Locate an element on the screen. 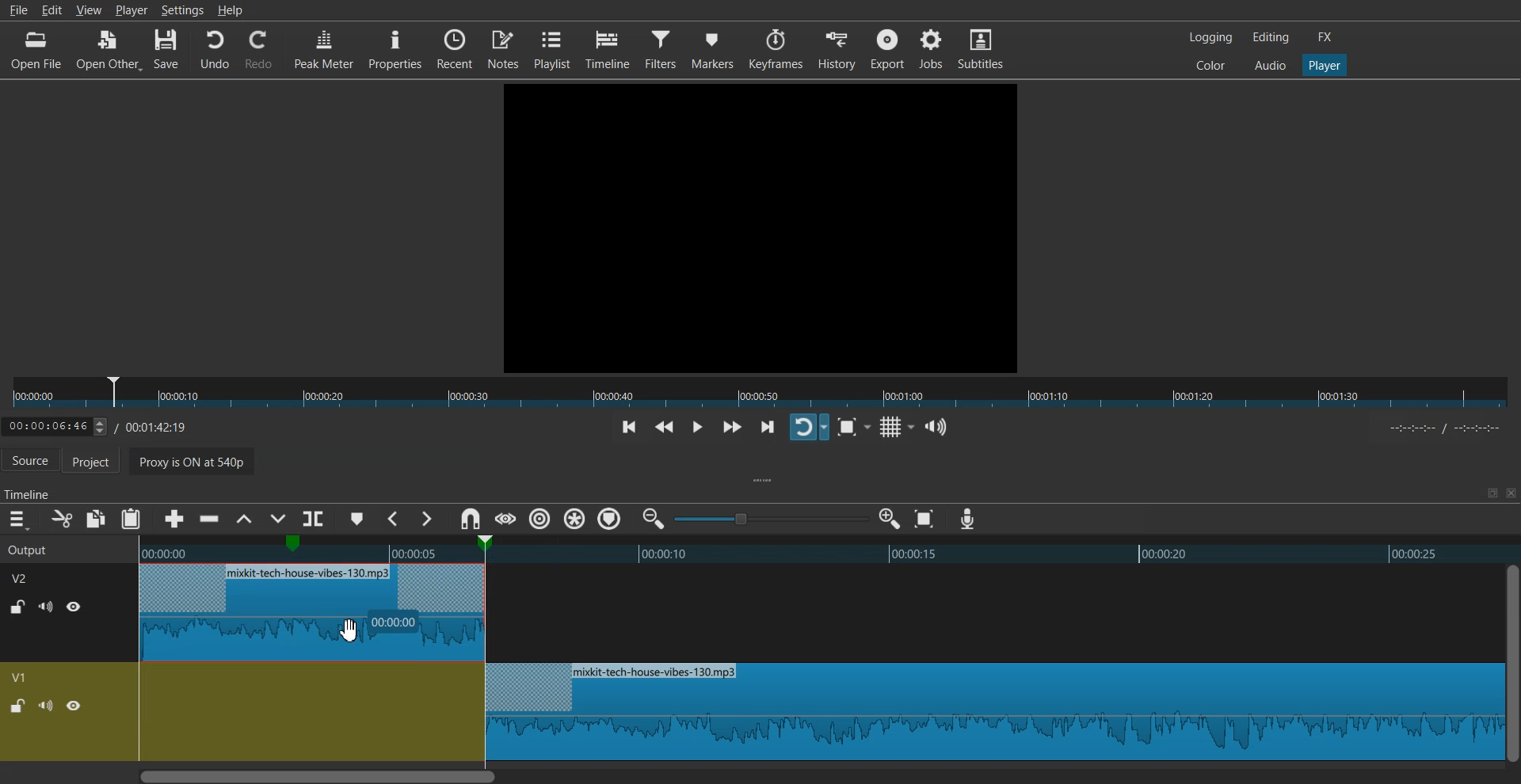 The width and height of the screenshot is (1521, 784). File is located at coordinates (17, 10).